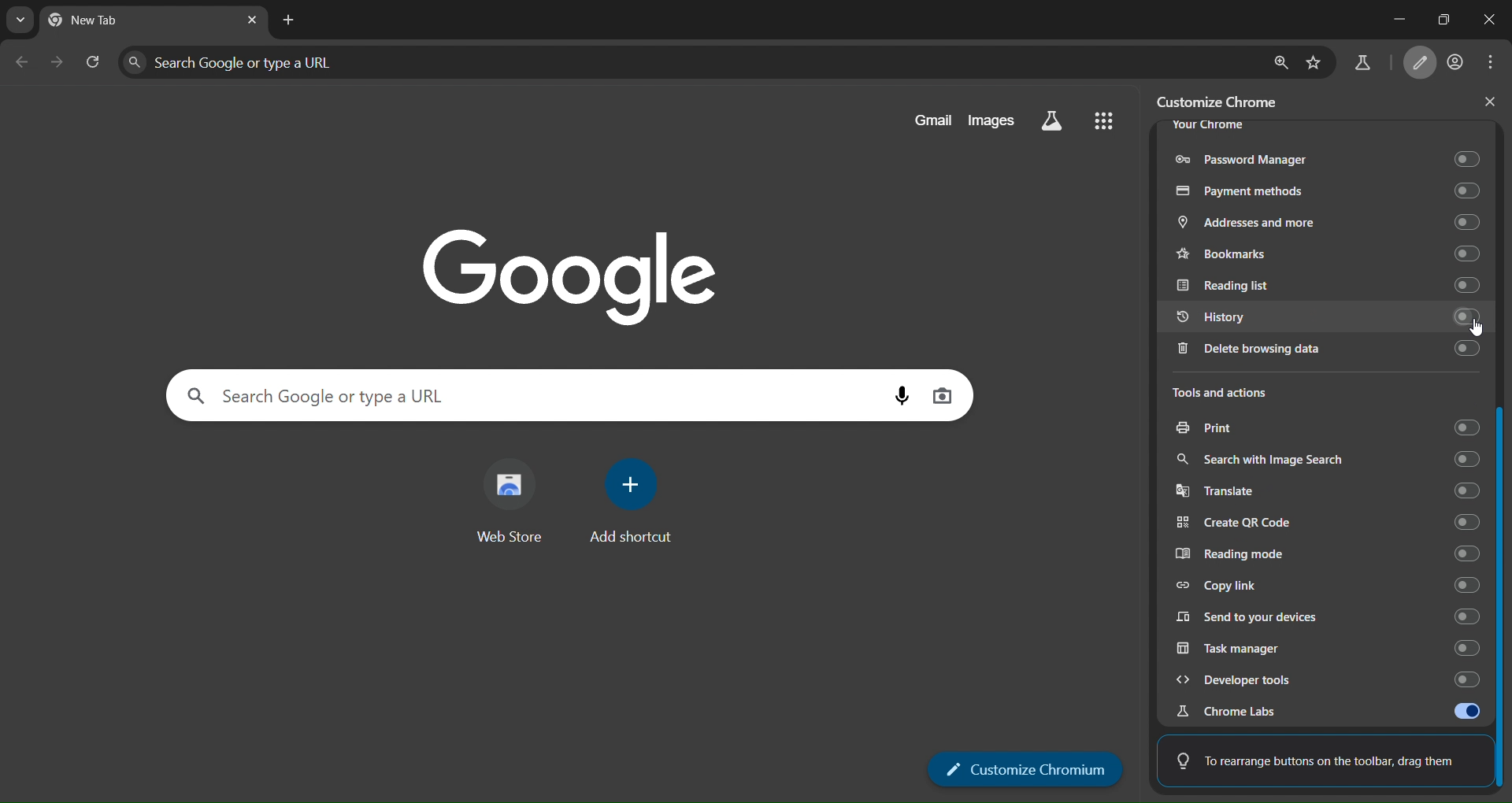 The height and width of the screenshot is (803, 1512). Describe the element at coordinates (1102, 119) in the screenshot. I see `google apps` at that location.